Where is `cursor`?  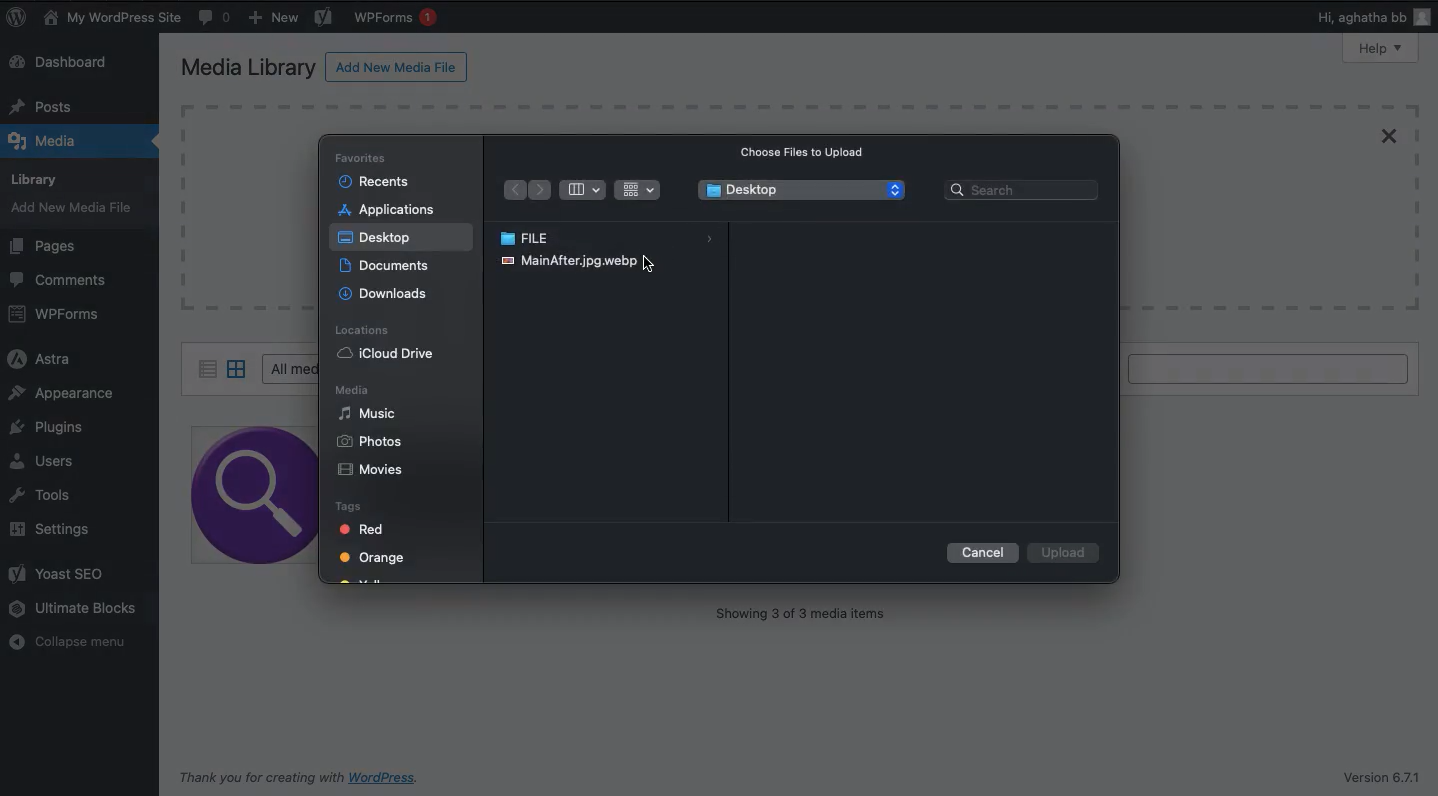 cursor is located at coordinates (654, 274).